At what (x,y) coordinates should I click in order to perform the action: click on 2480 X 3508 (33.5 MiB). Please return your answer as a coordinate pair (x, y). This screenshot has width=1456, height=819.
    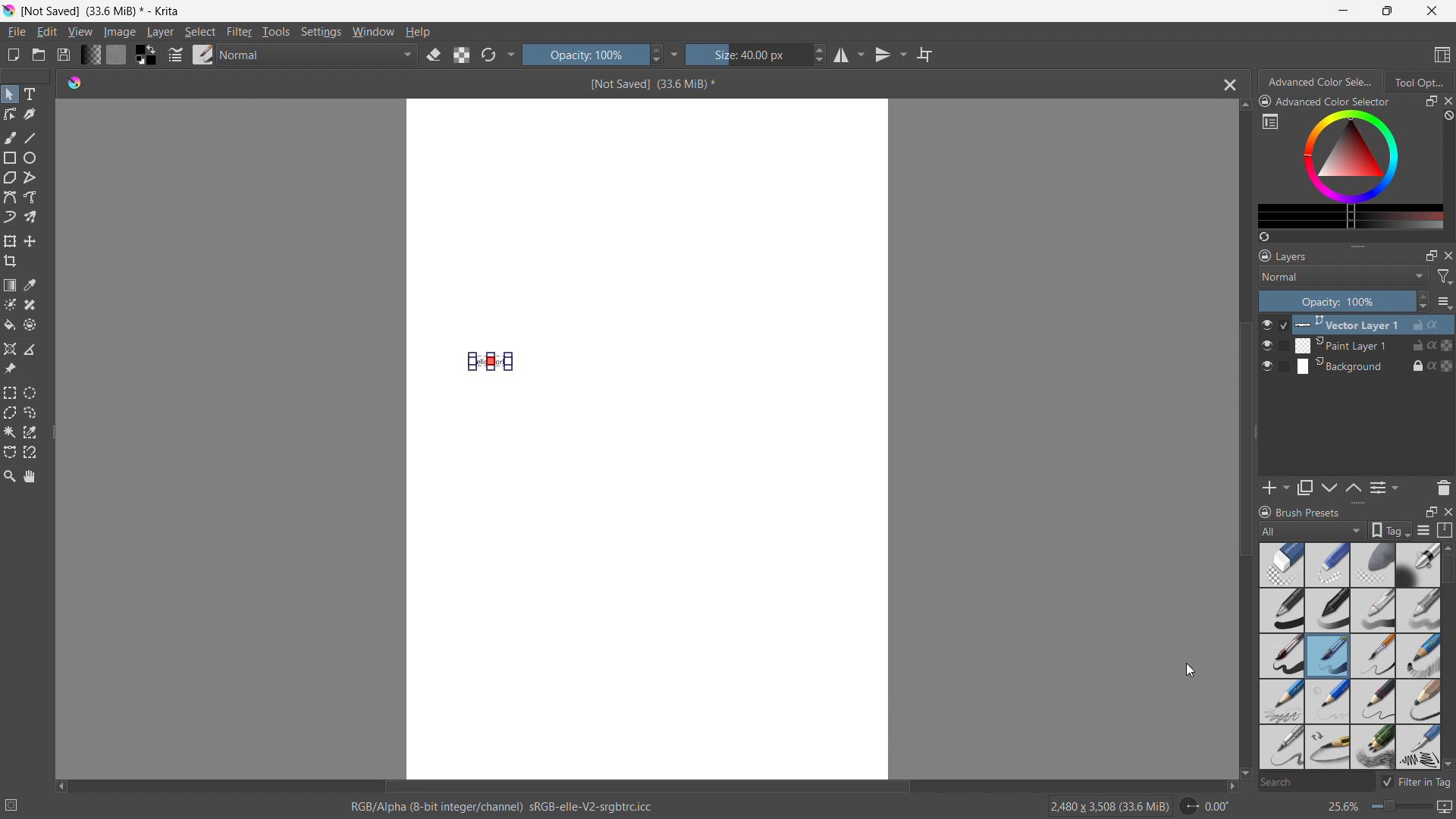
    Looking at the image, I should click on (1109, 805).